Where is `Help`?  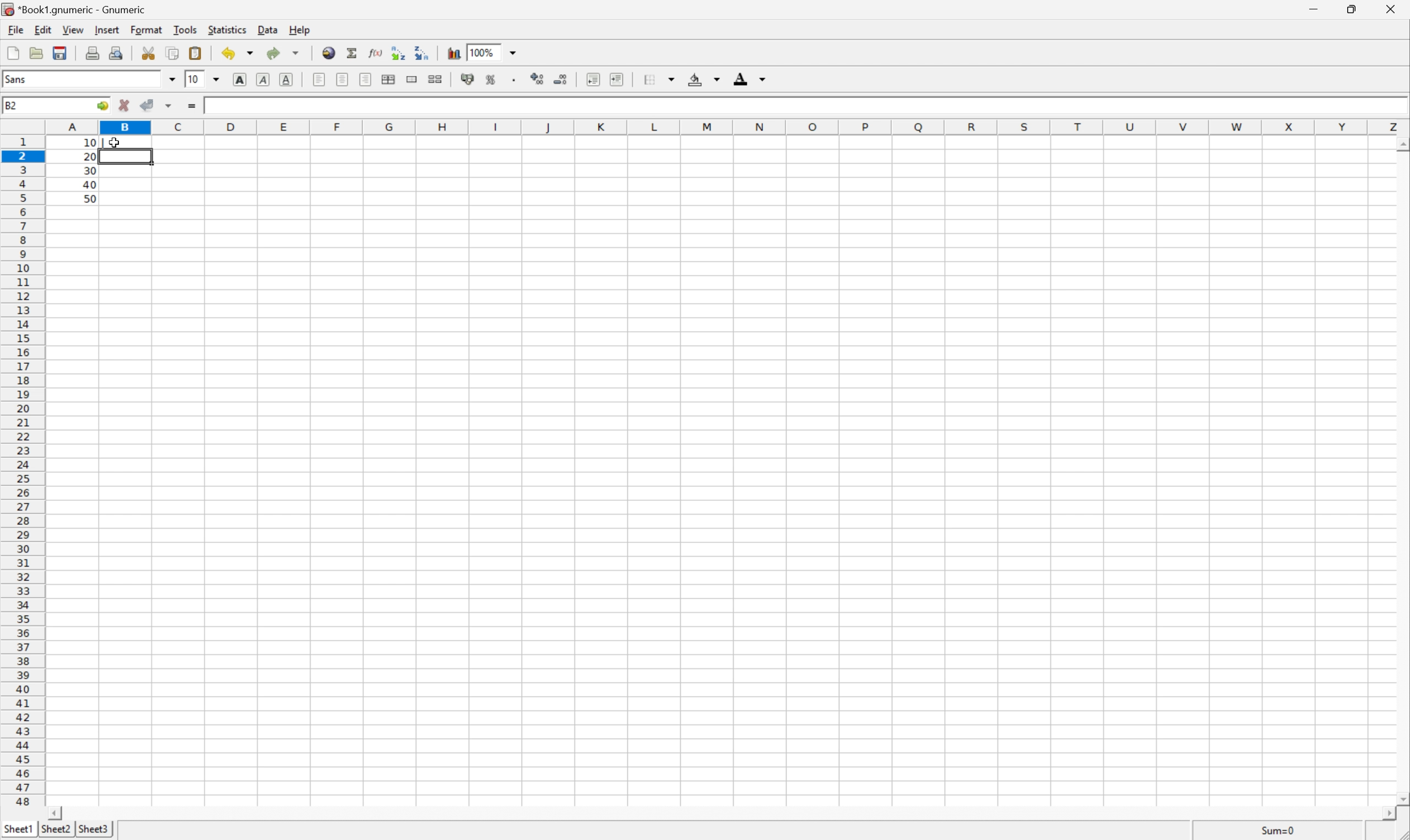
Help is located at coordinates (298, 29).